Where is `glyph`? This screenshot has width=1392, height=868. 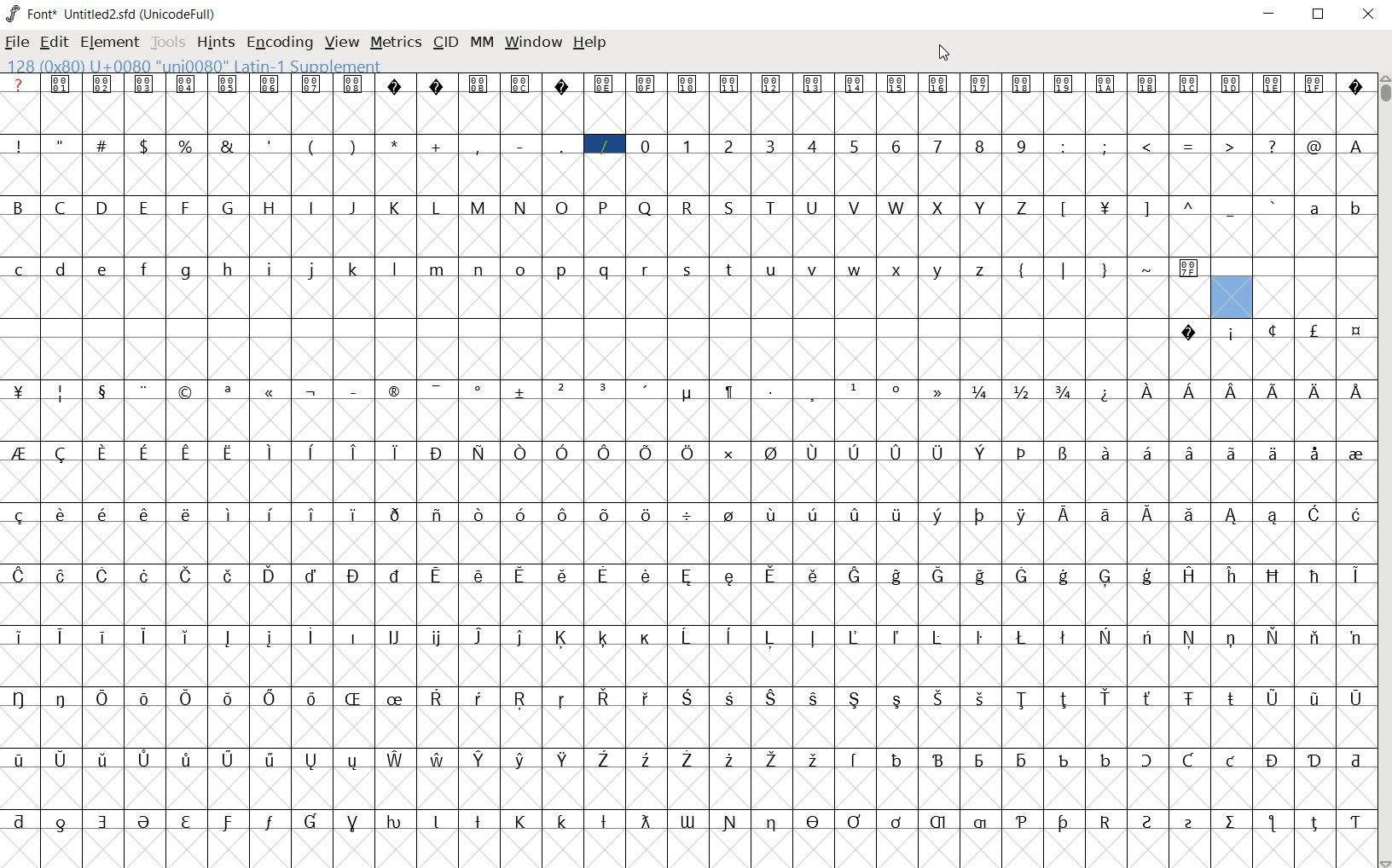 glyph is located at coordinates (186, 822).